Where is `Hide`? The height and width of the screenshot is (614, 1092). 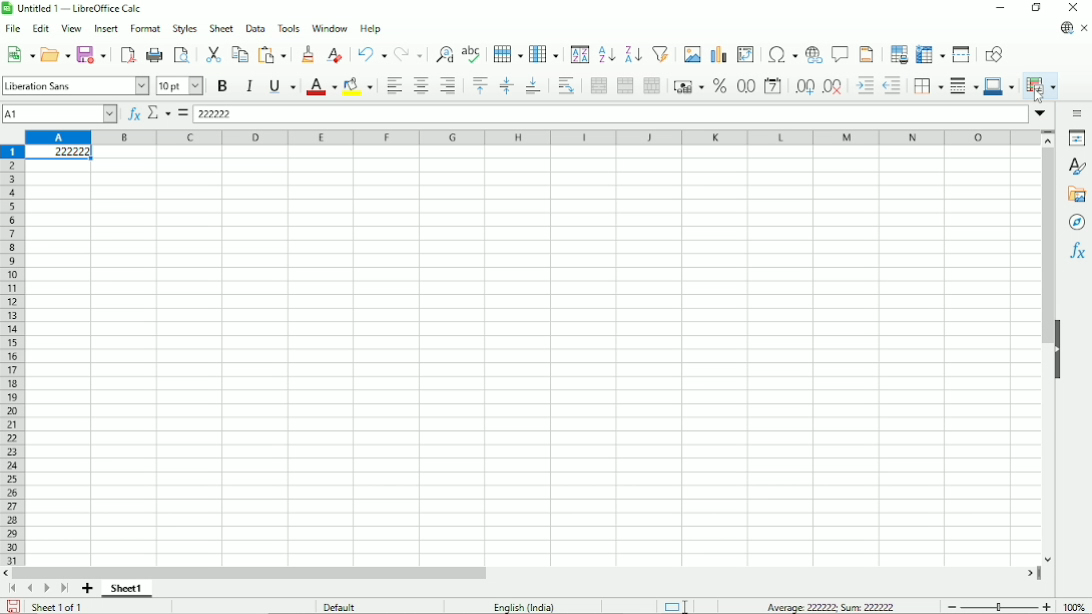 Hide is located at coordinates (1057, 347).